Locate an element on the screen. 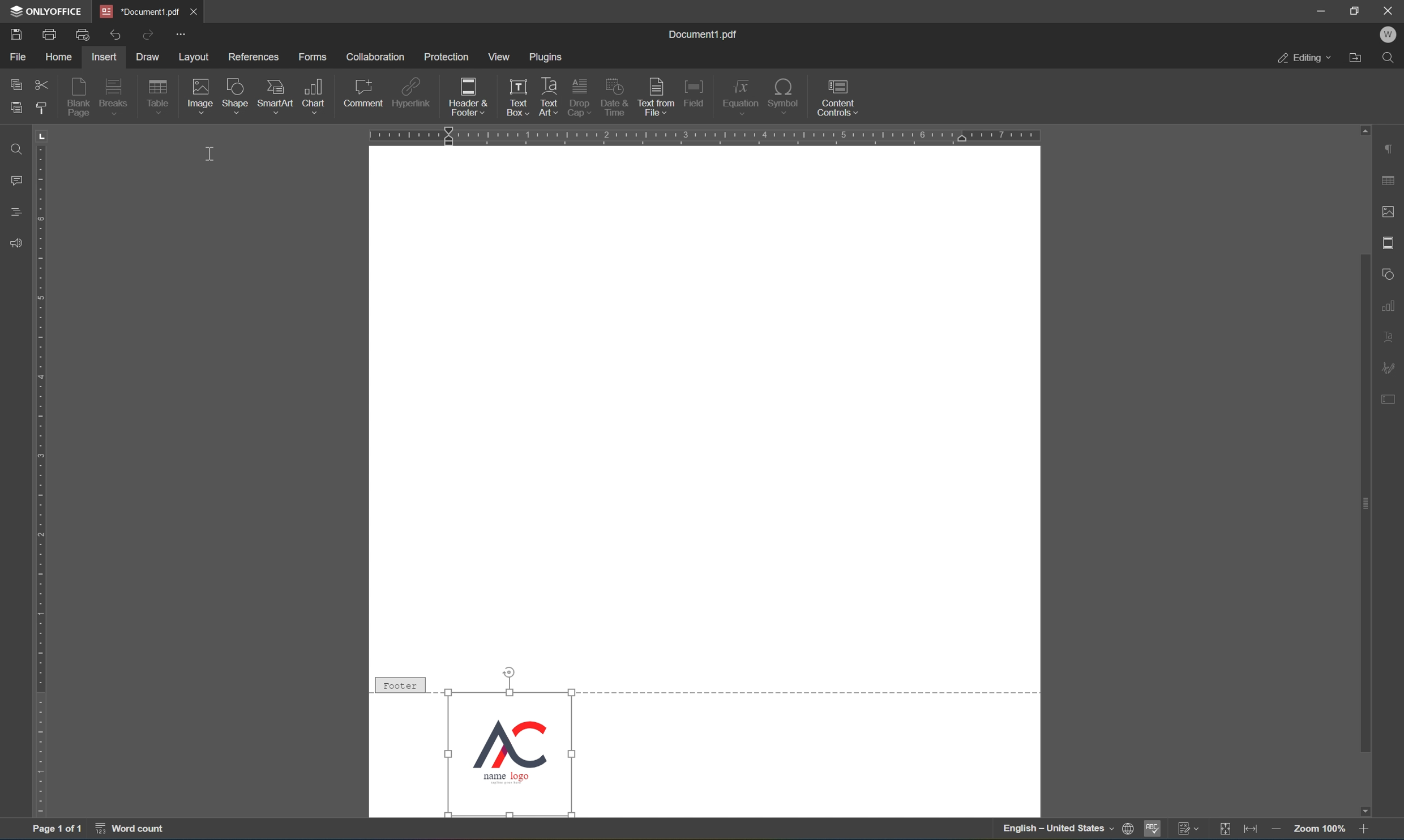 The image size is (1404, 840). headings is located at coordinates (15, 212).